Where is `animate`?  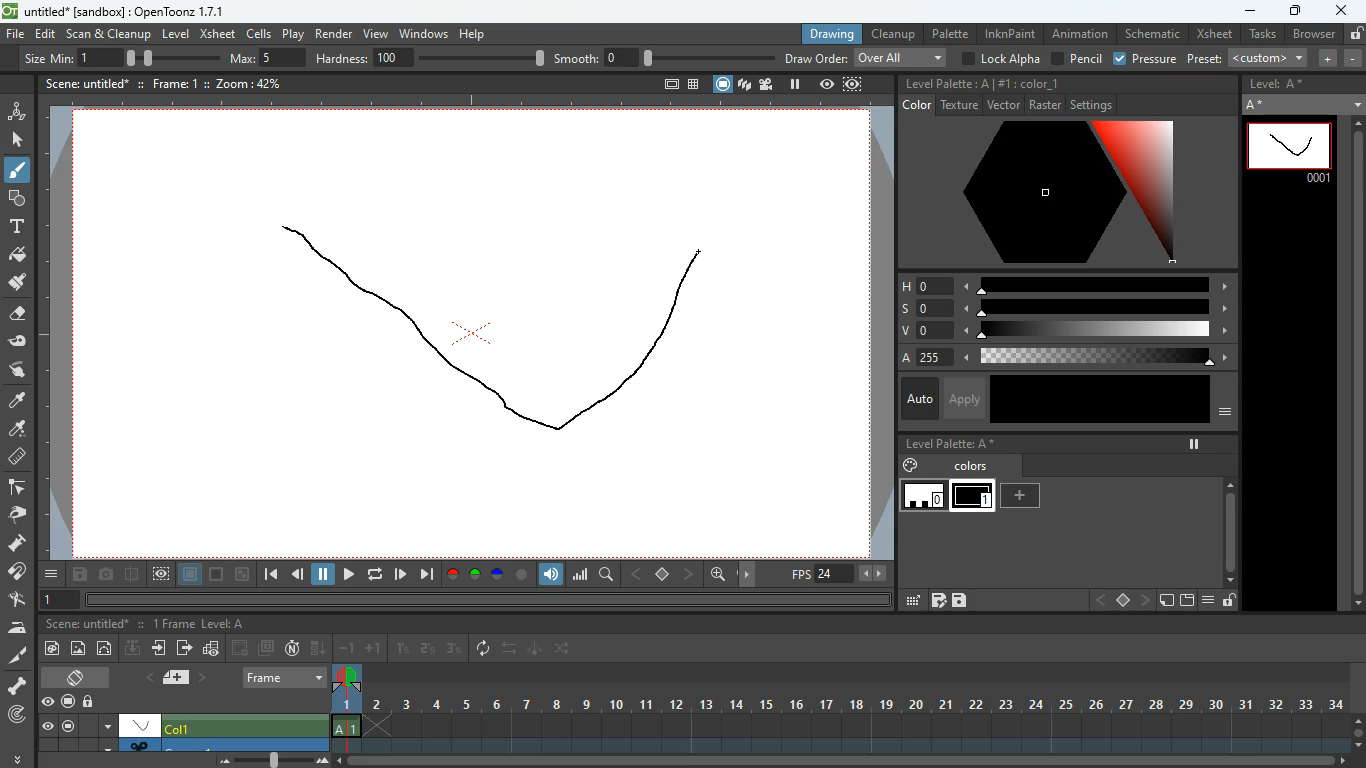
animate is located at coordinates (536, 650).